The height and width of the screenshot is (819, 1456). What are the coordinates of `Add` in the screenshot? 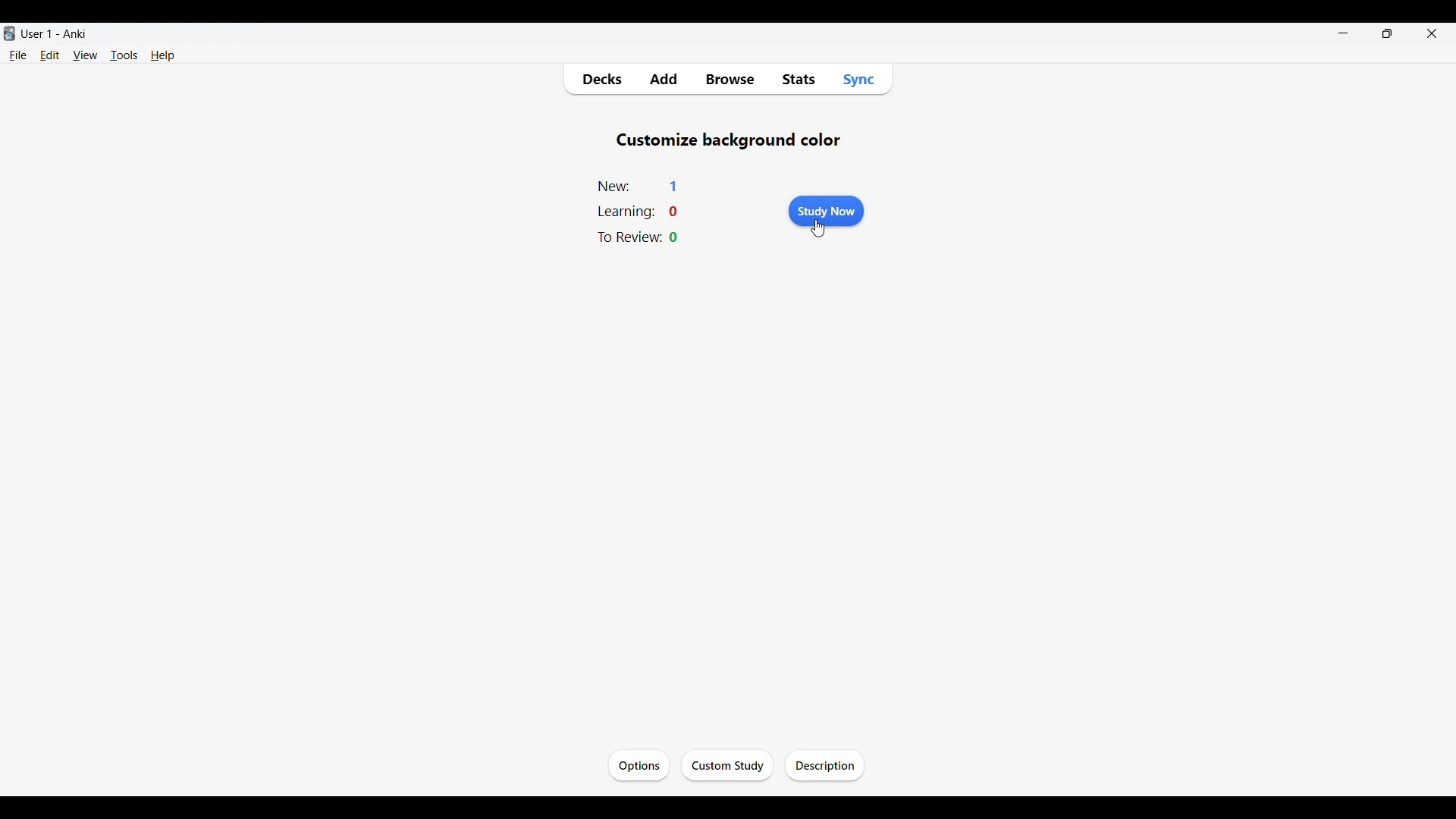 It's located at (663, 80).